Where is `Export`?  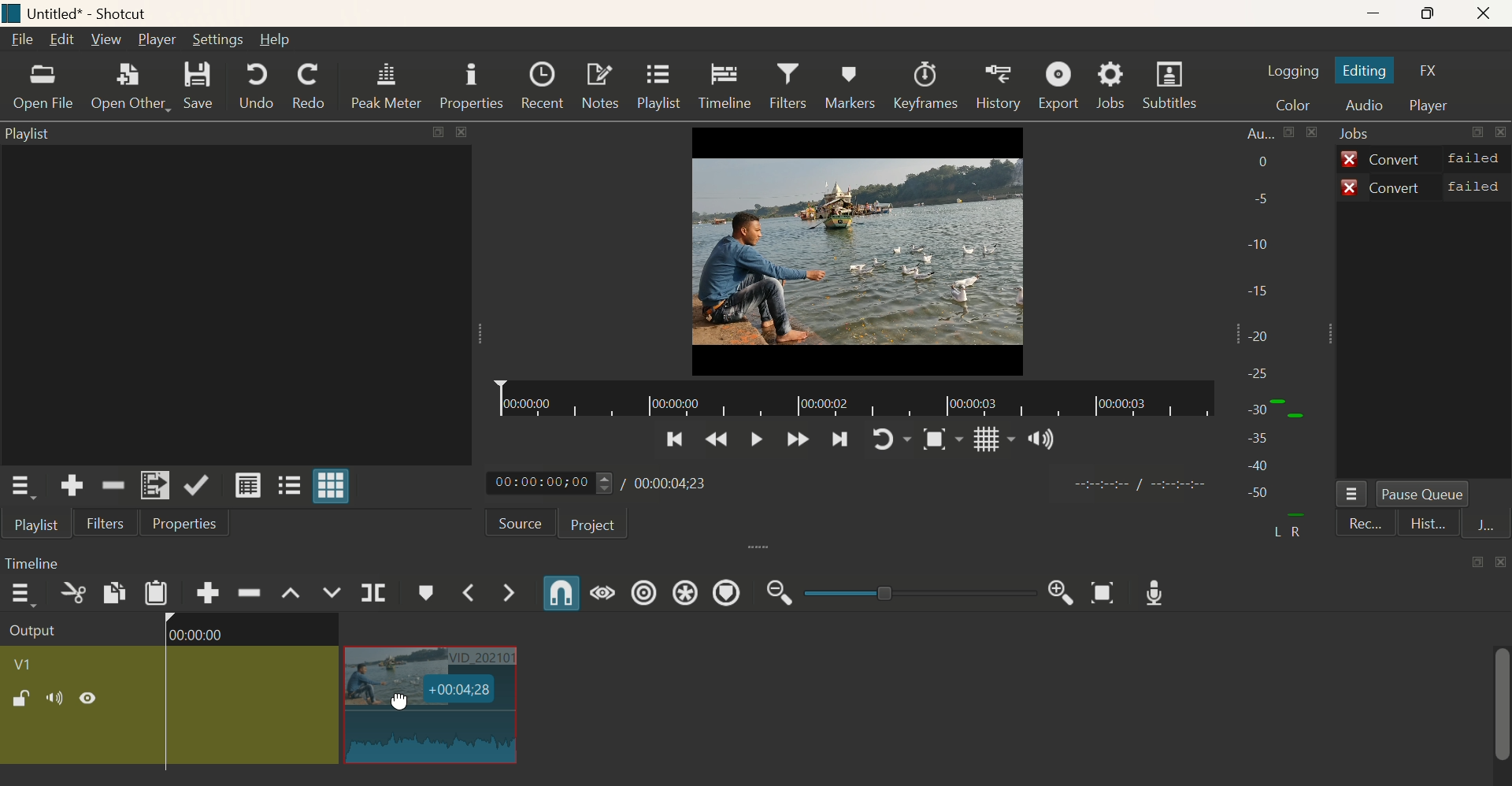 Export is located at coordinates (1061, 87).